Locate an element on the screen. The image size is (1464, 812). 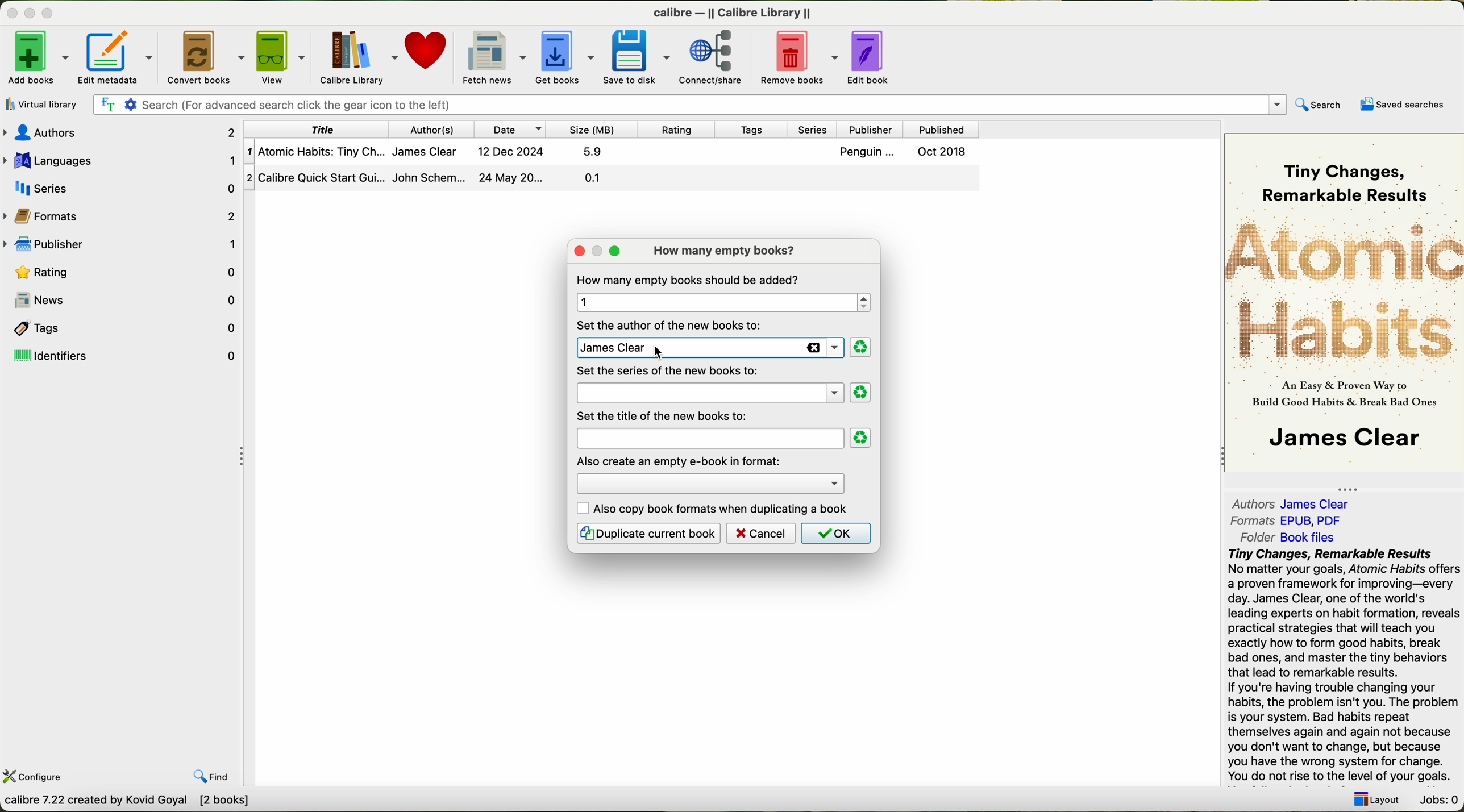
publisher is located at coordinates (121, 242).